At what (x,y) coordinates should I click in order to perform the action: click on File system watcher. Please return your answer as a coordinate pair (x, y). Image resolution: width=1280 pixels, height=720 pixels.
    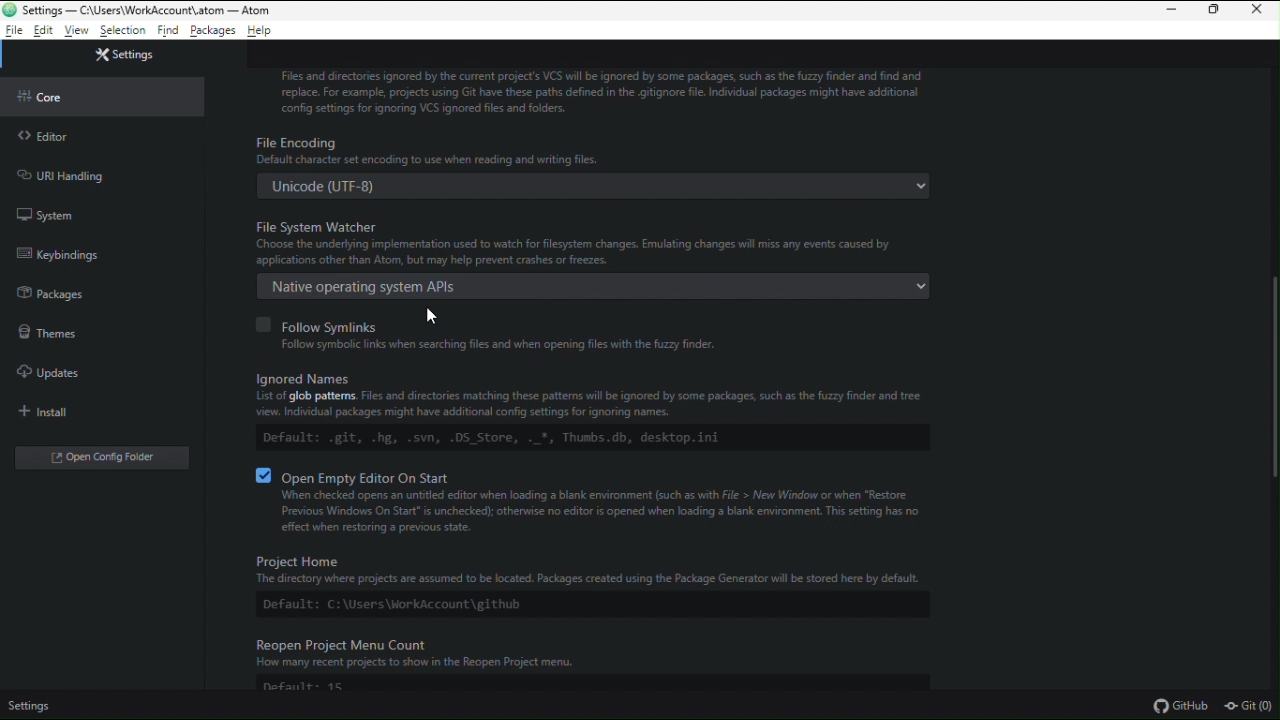
    Looking at the image, I should click on (592, 242).